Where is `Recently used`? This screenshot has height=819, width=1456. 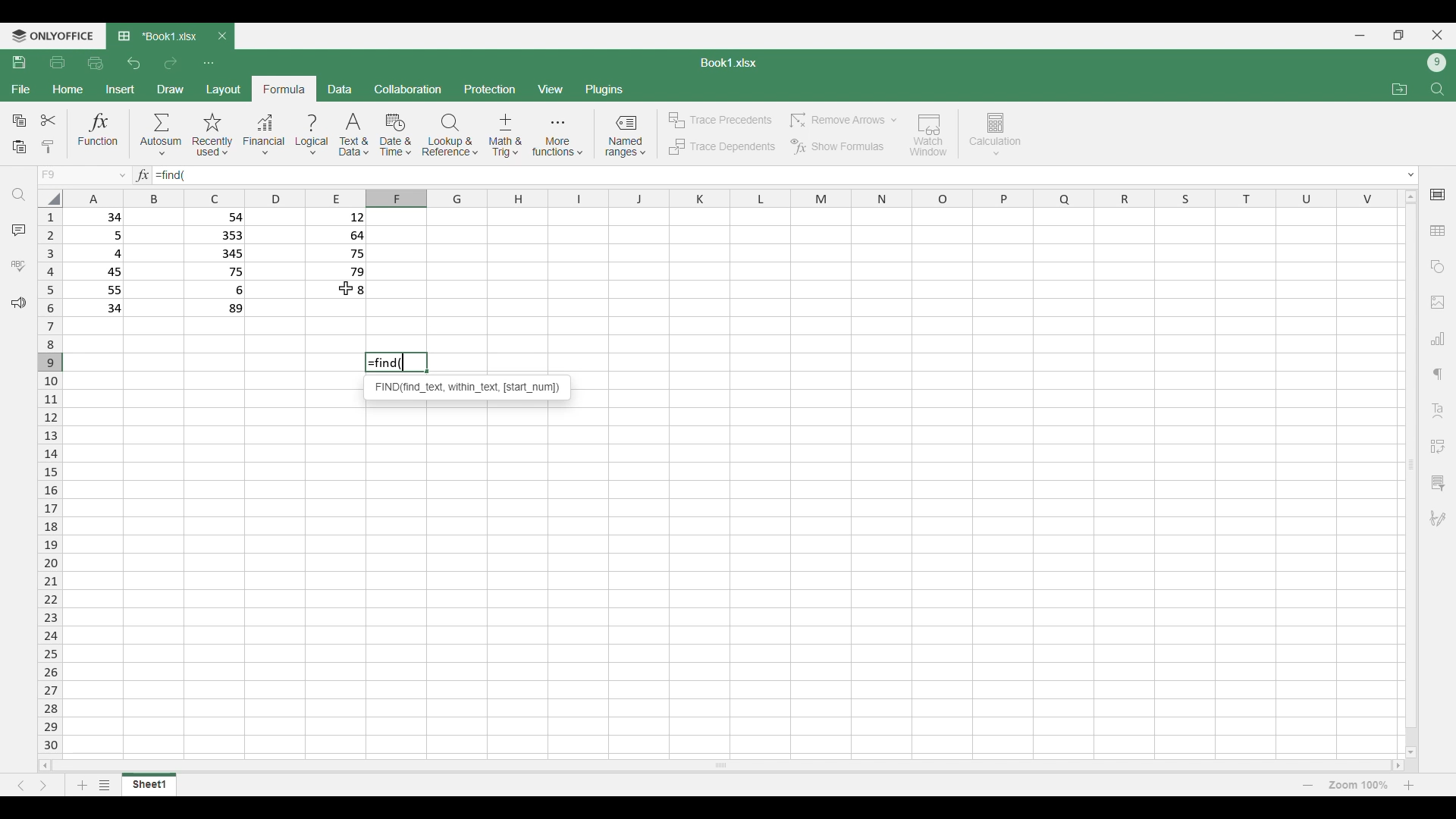 Recently used is located at coordinates (213, 135).